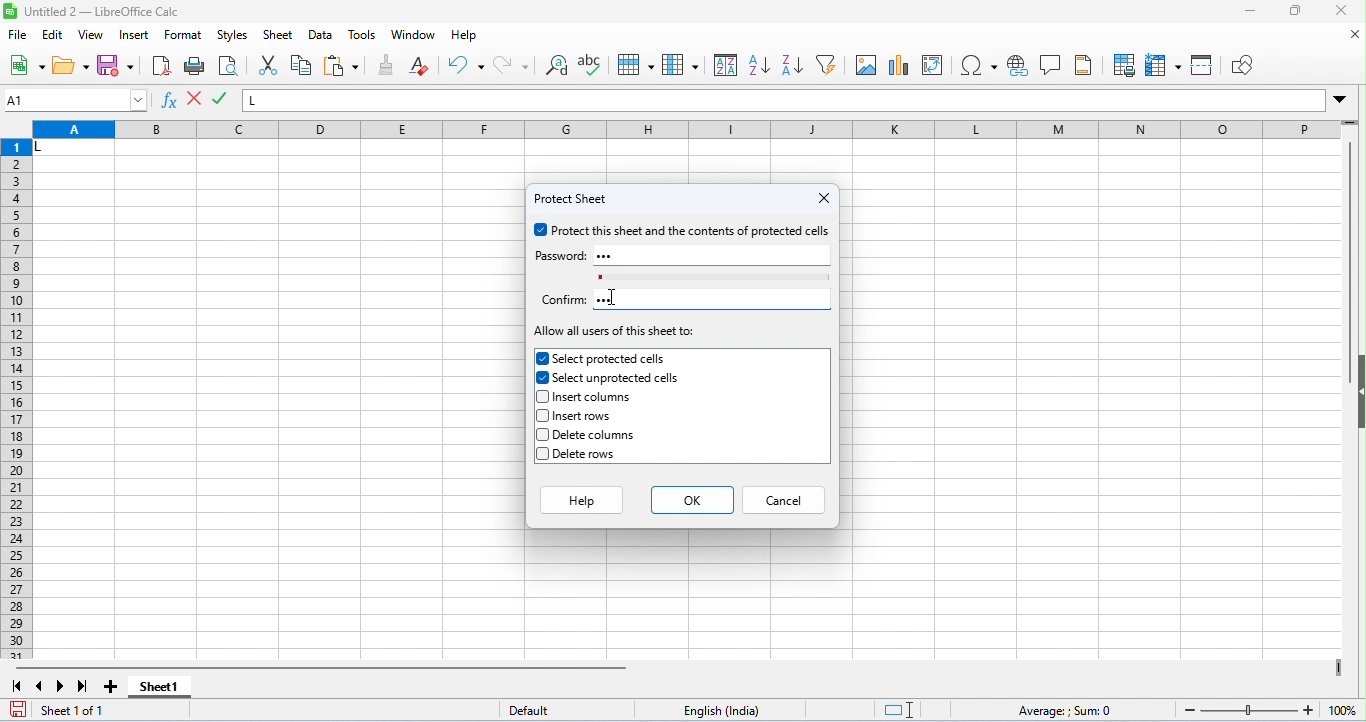 The image size is (1366, 722). Describe the element at coordinates (76, 100) in the screenshot. I see `selected cell number` at that location.